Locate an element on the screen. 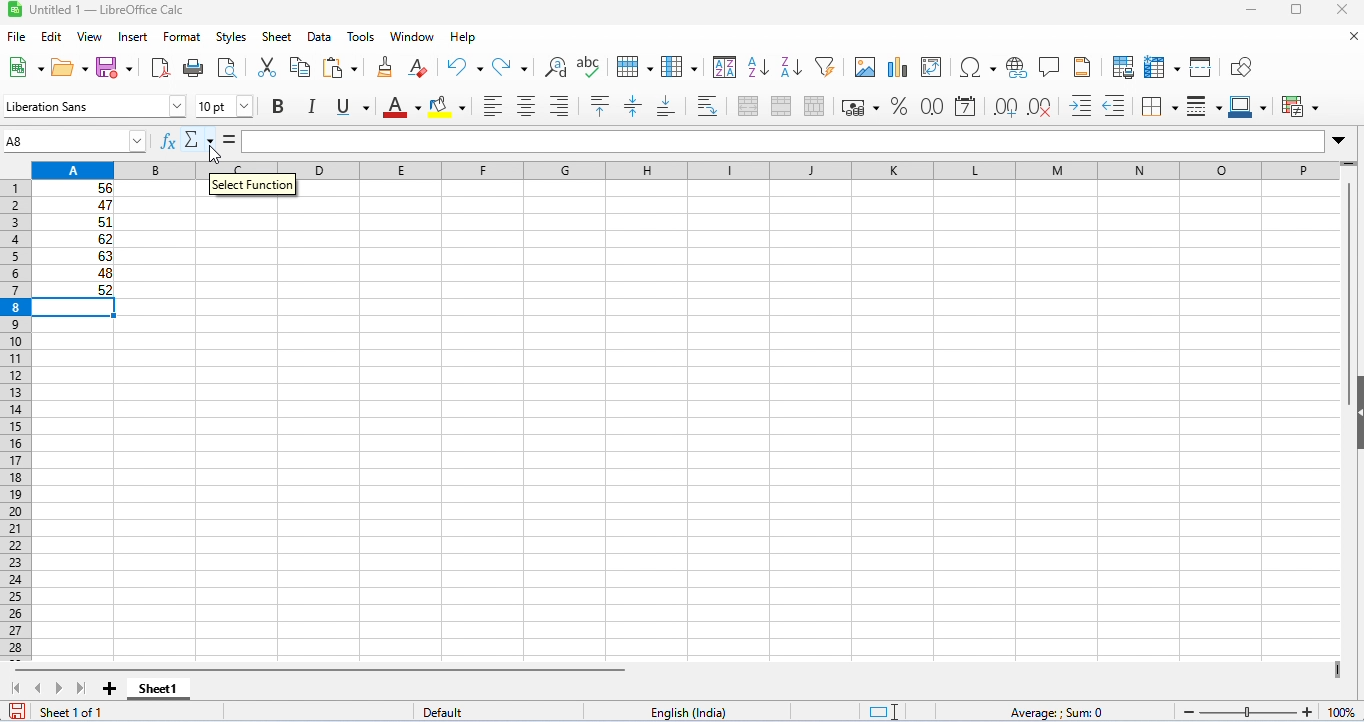 The image size is (1364, 722). open is located at coordinates (71, 66).